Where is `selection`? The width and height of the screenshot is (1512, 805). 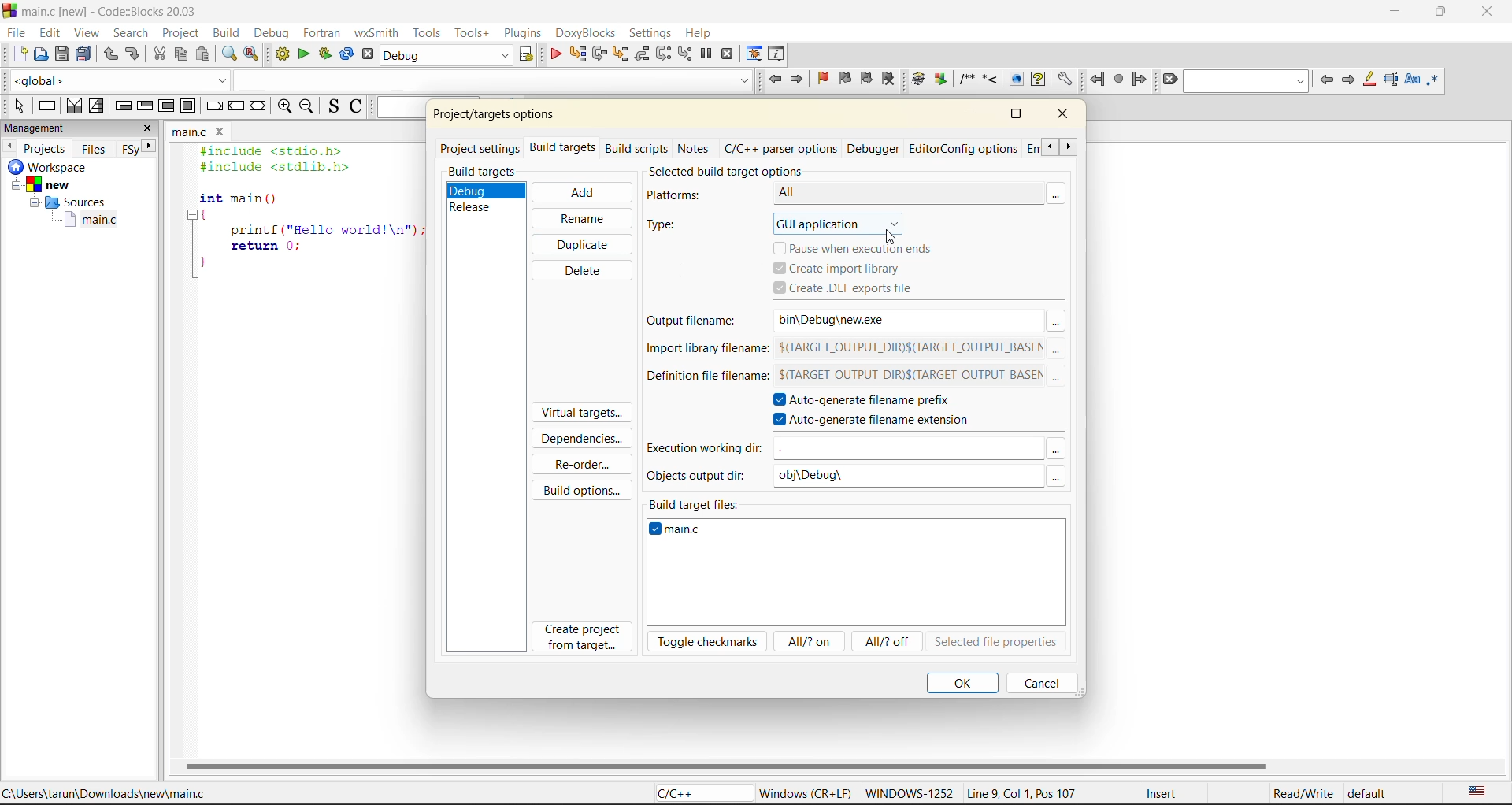
selection is located at coordinates (98, 106).